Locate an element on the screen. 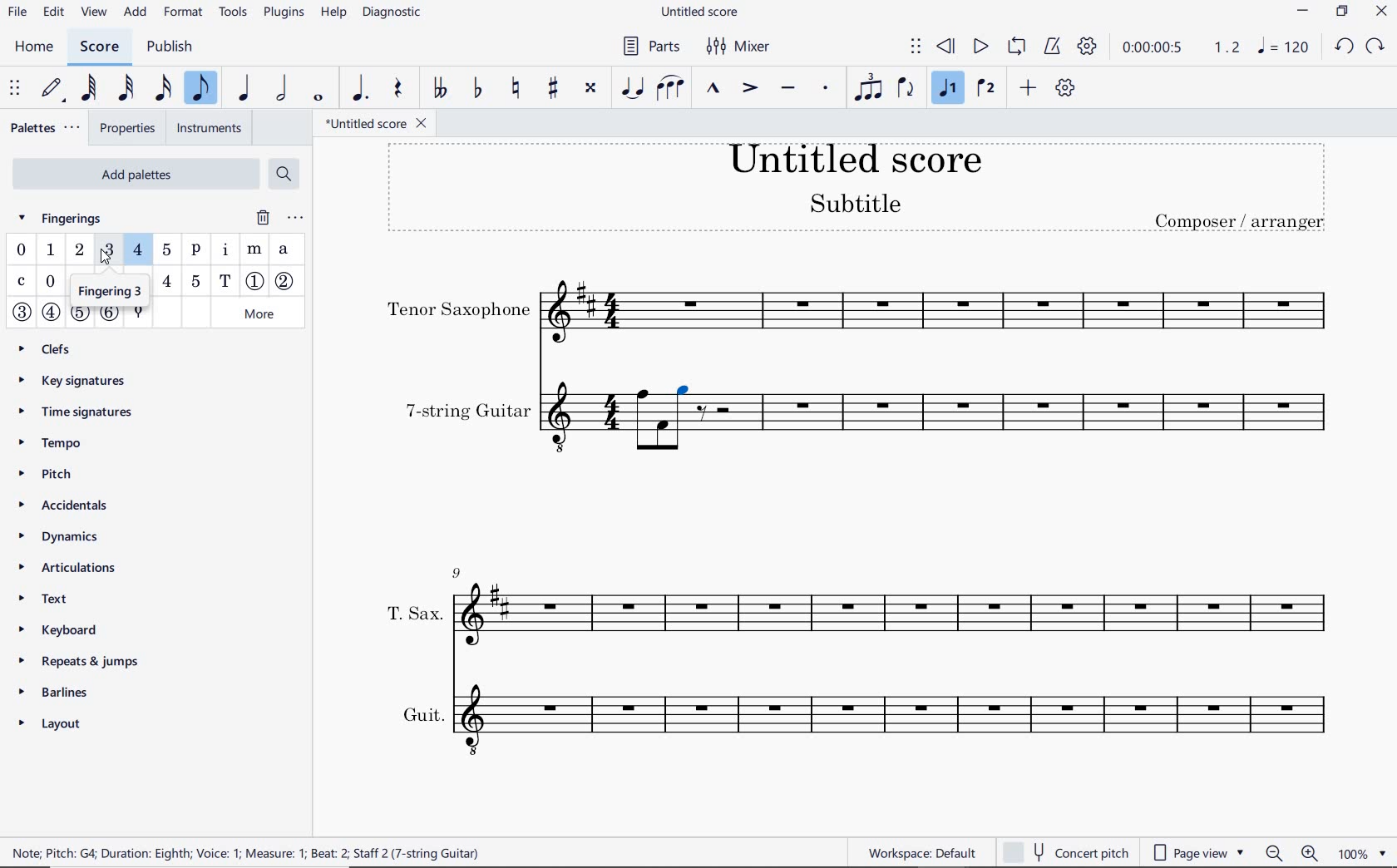  PLAYBACK SETTINGS is located at coordinates (1087, 47).